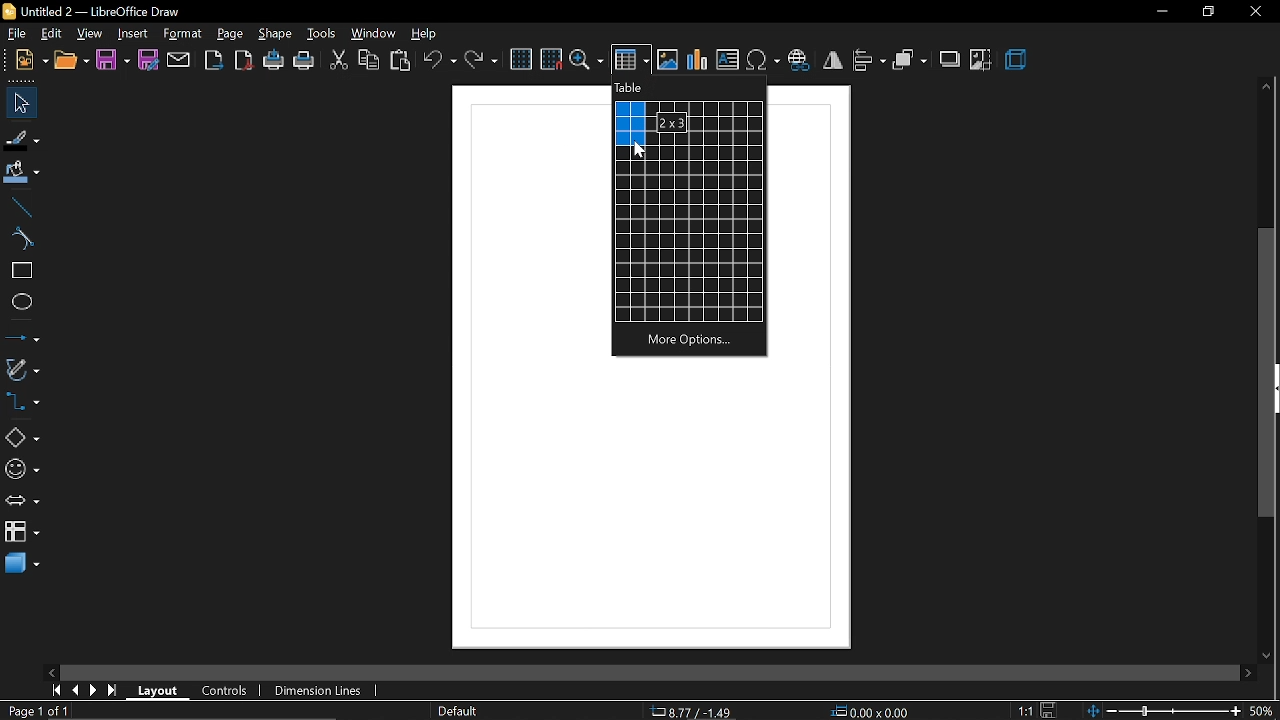  What do you see at coordinates (275, 34) in the screenshot?
I see `shape` at bounding box center [275, 34].